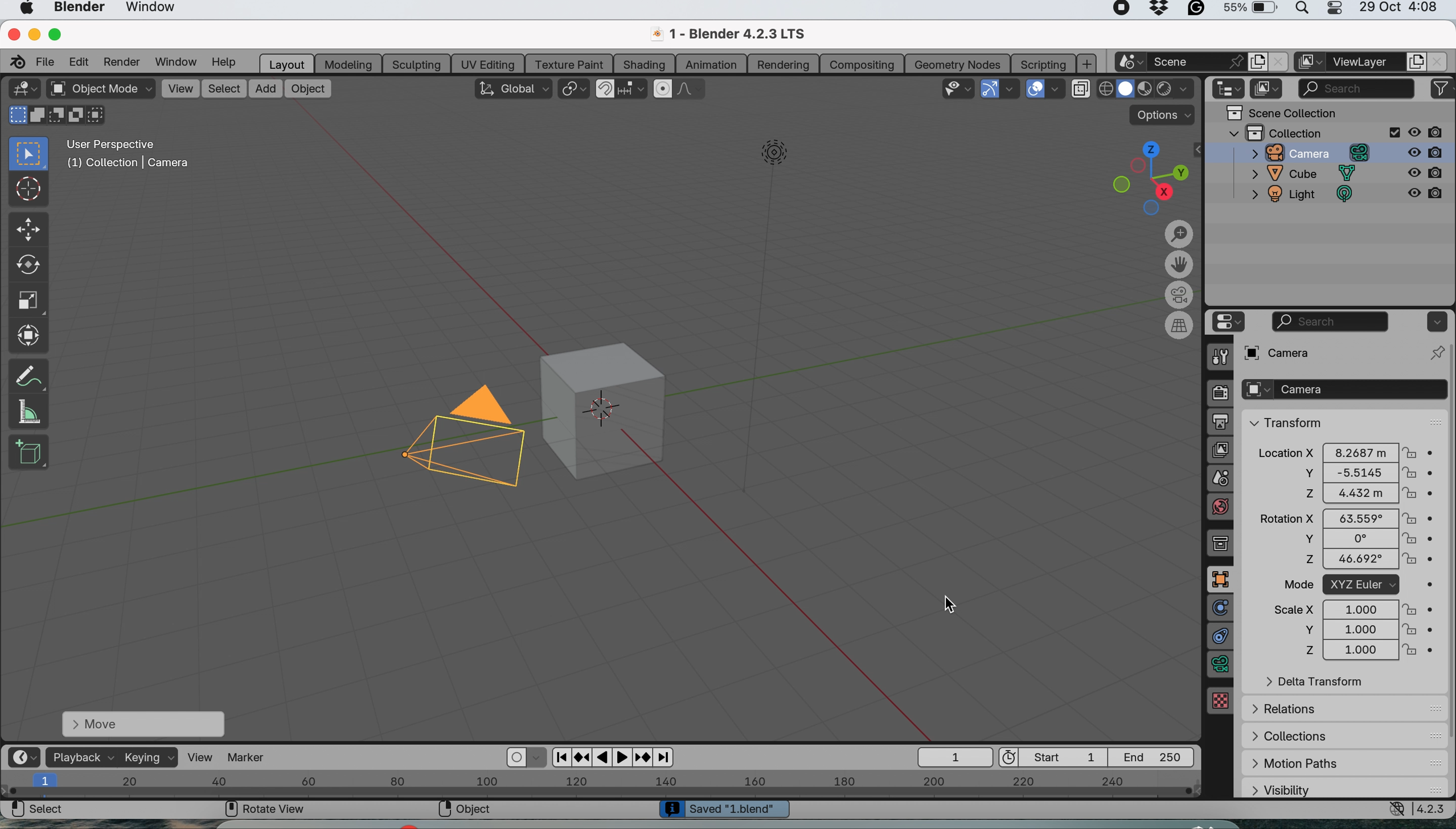 This screenshot has height=829, width=1456. I want to click on annotate, so click(26, 375).